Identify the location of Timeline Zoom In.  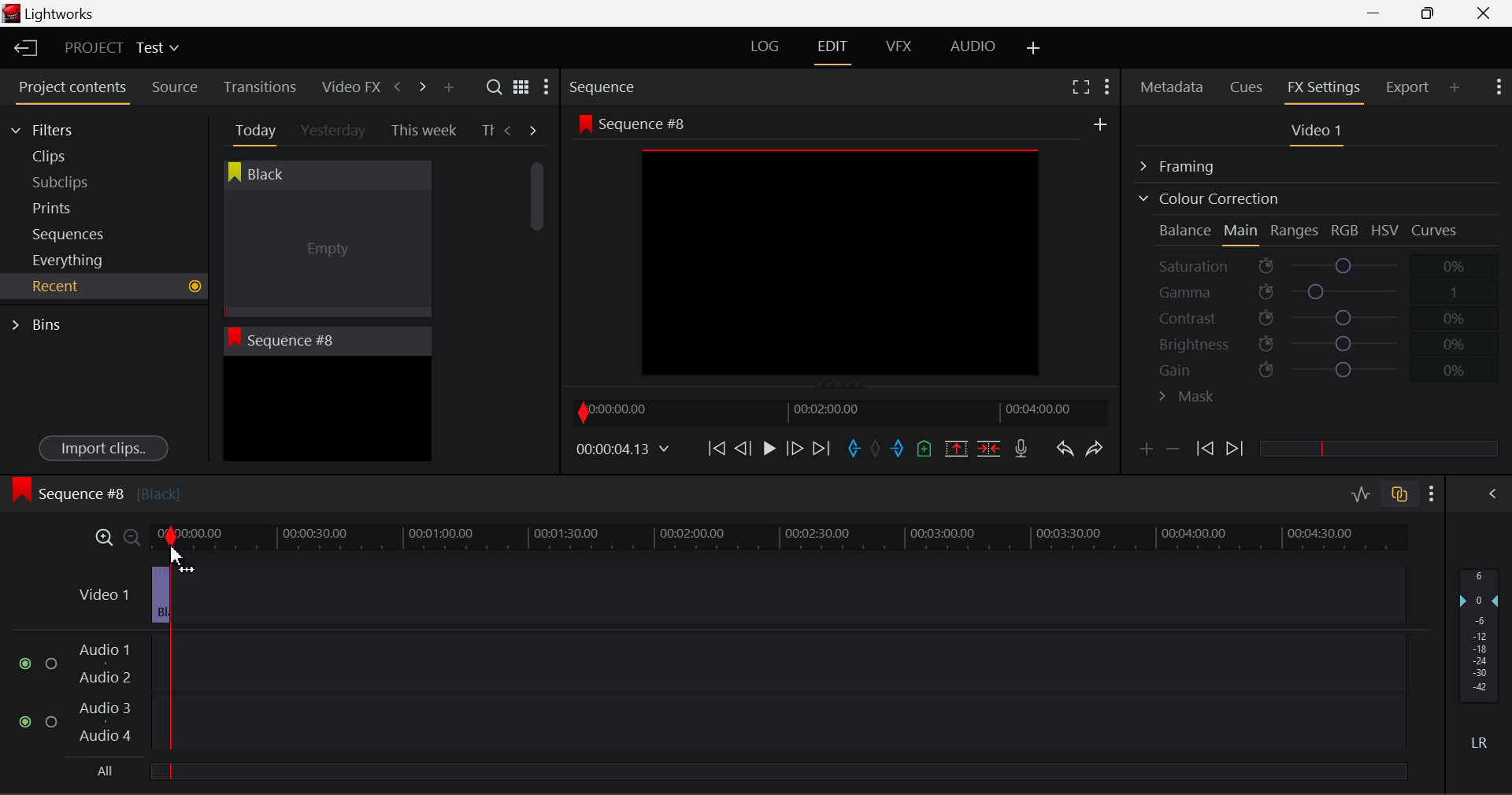
(101, 537).